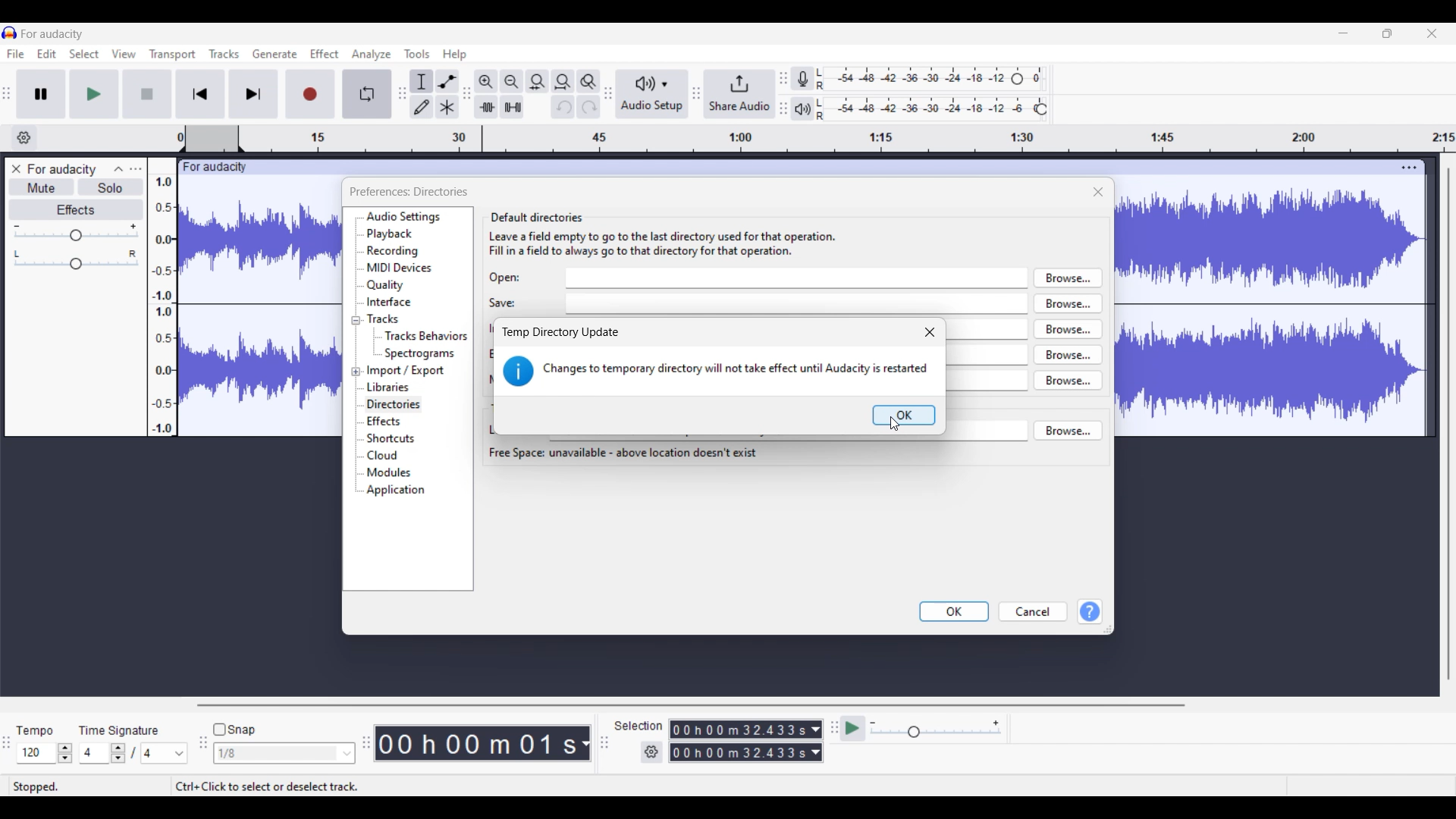 Image resolution: width=1456 pixels, height=819 pixels. Describe the element at coordinates (588, 81) in the screenshot. I see `Zoom toggle` at that location.